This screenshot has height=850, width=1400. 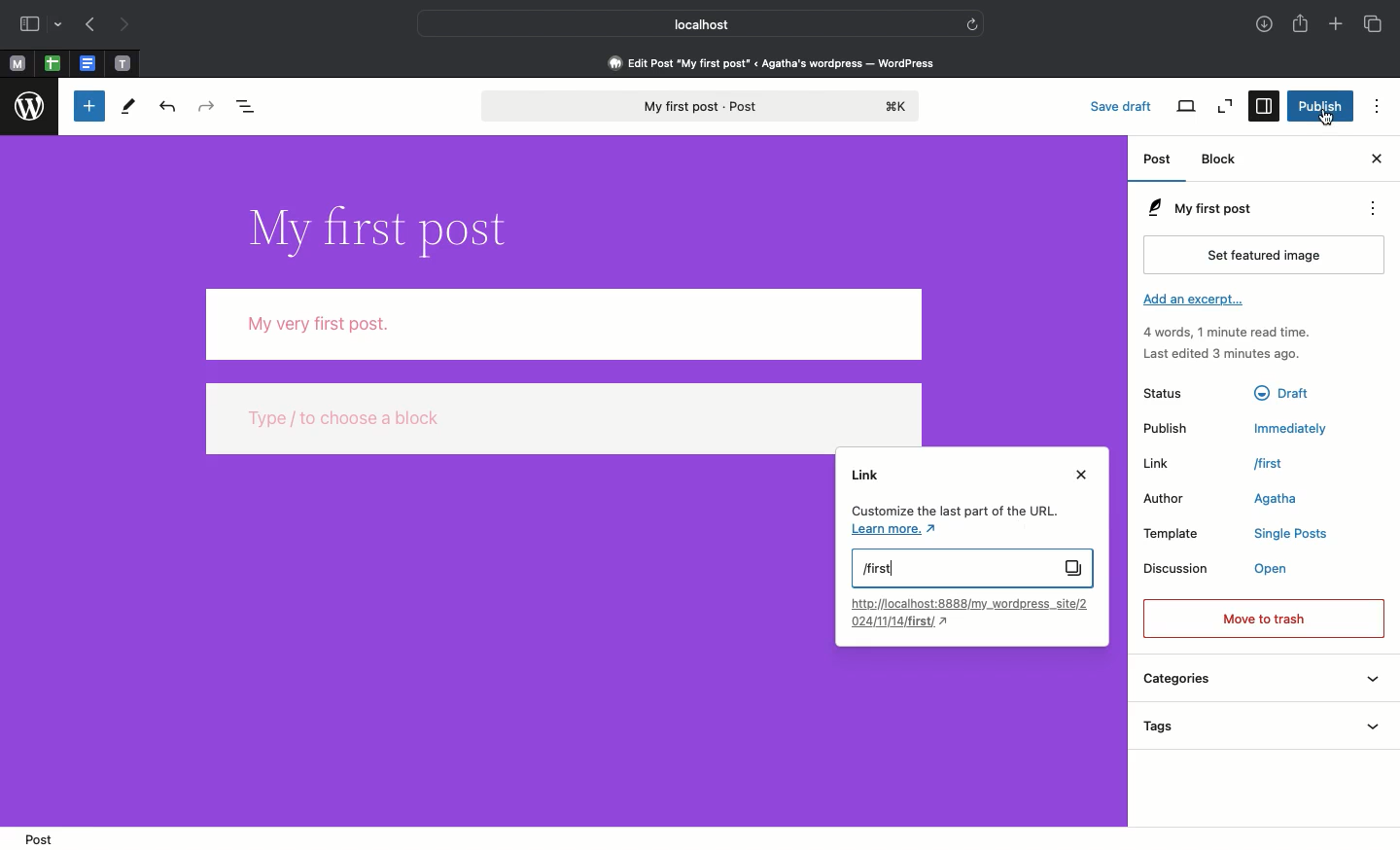 I want to click on Sidebar, so click(x=28, y=23).